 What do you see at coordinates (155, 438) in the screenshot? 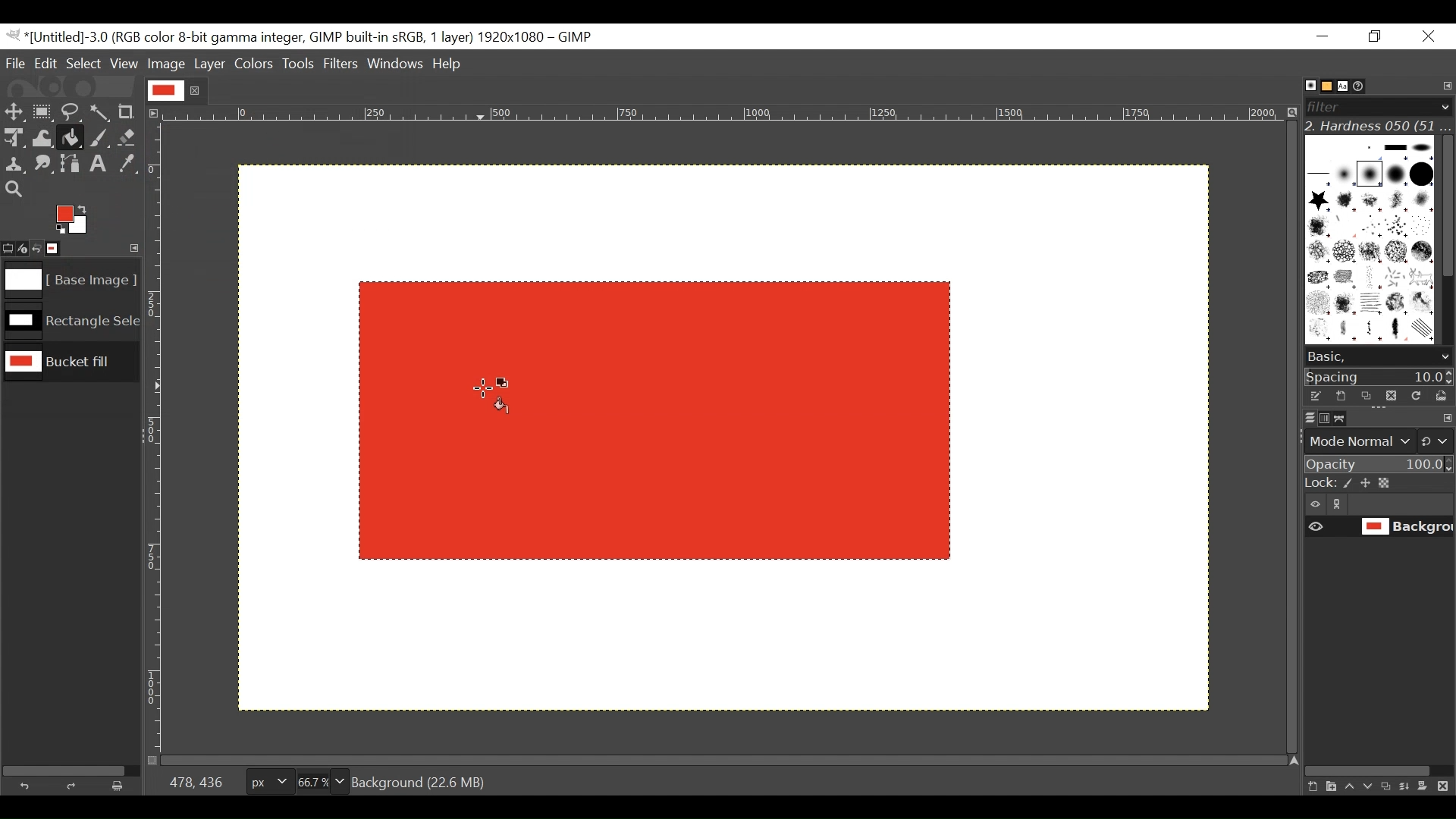
I see `Vertical Ruler` at bounding box center [155, 438].